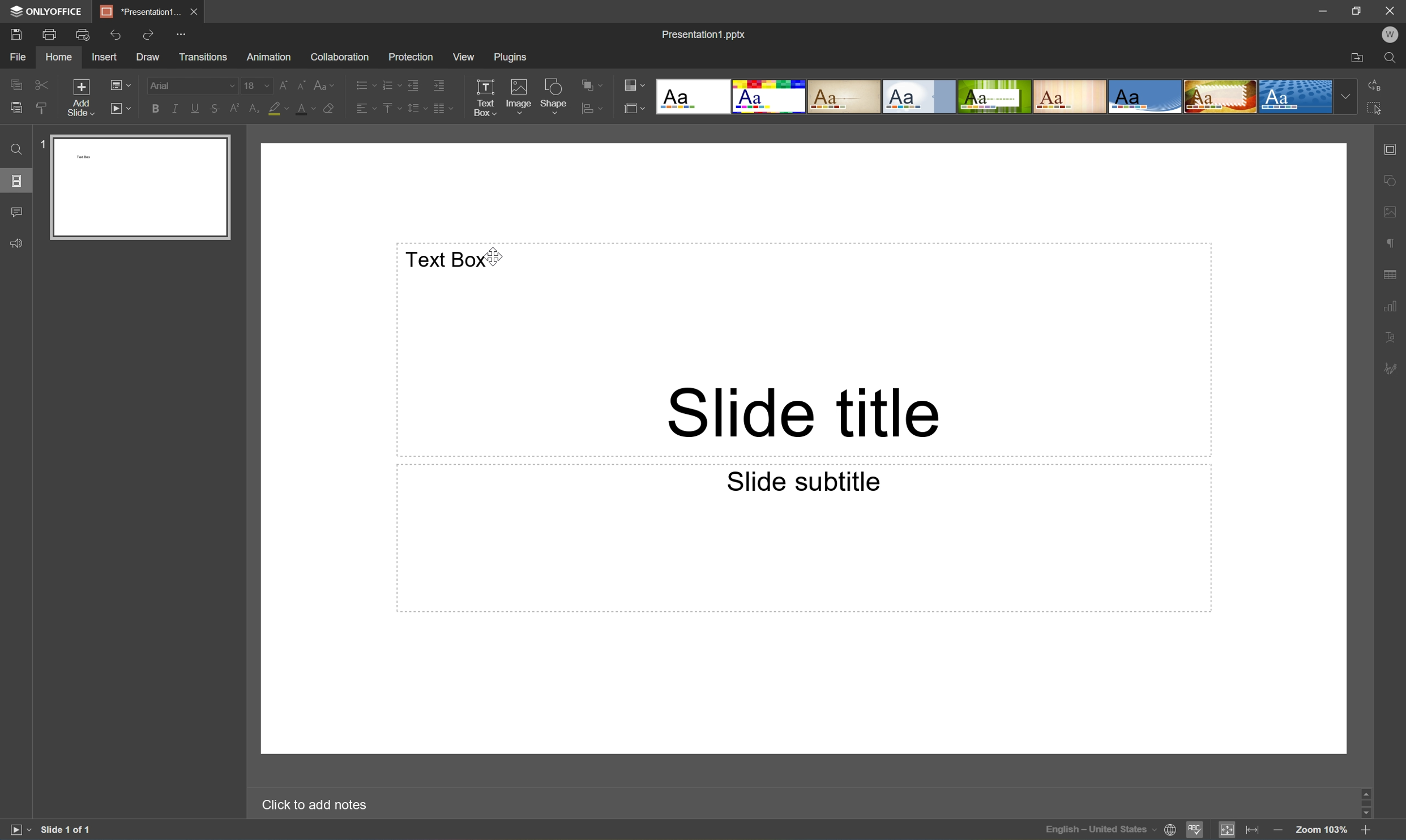 The image size is (1406, 840). What do you see at coordinates (18, 211) in the screenshot?
I see `Comments` at bounding box center [18, 211].